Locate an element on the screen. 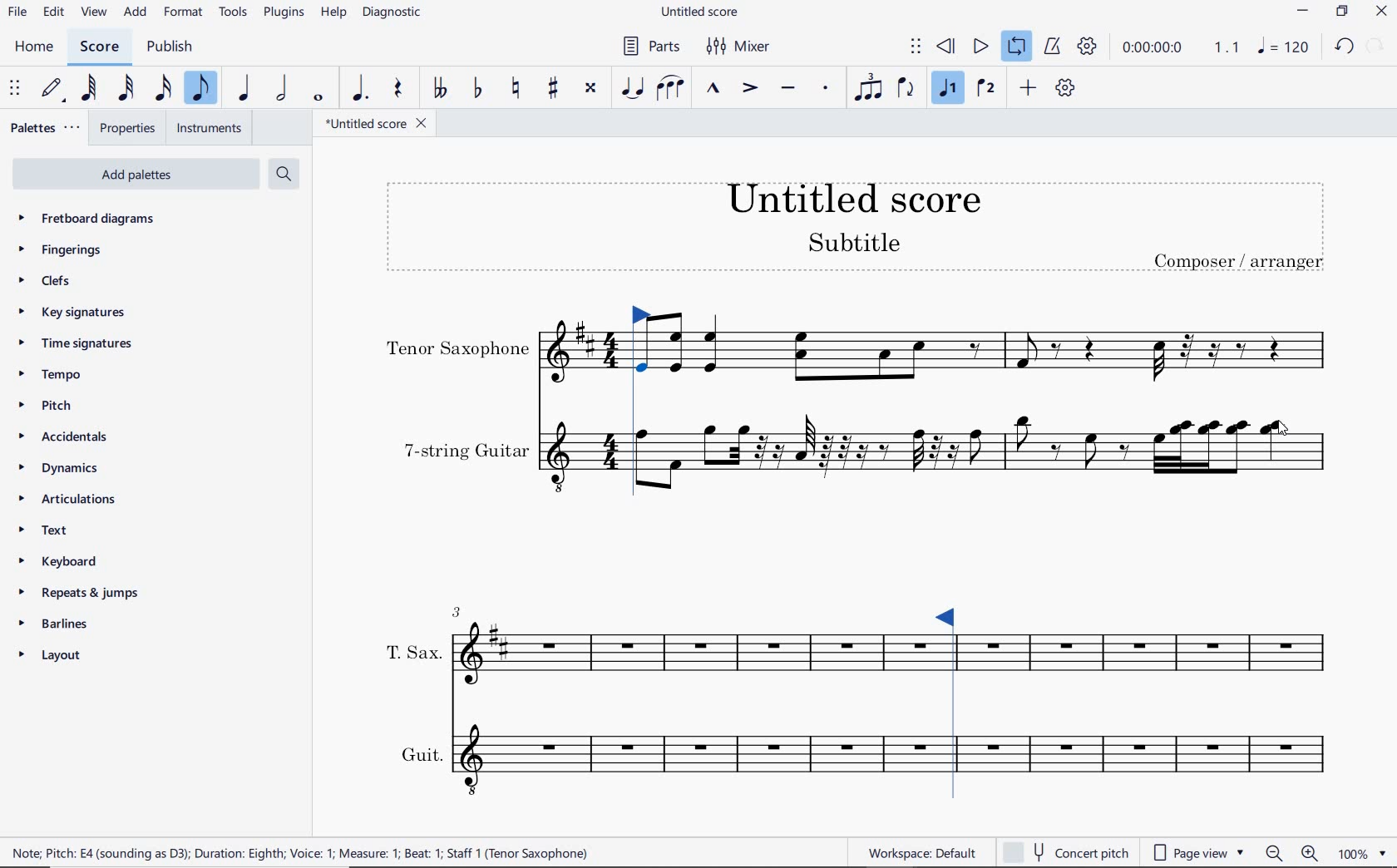 Image resolution: width=1397 pixels, height=868 pixels. ZOOM OUT OR ZOOM IN is located at coordinates (1293, 854).